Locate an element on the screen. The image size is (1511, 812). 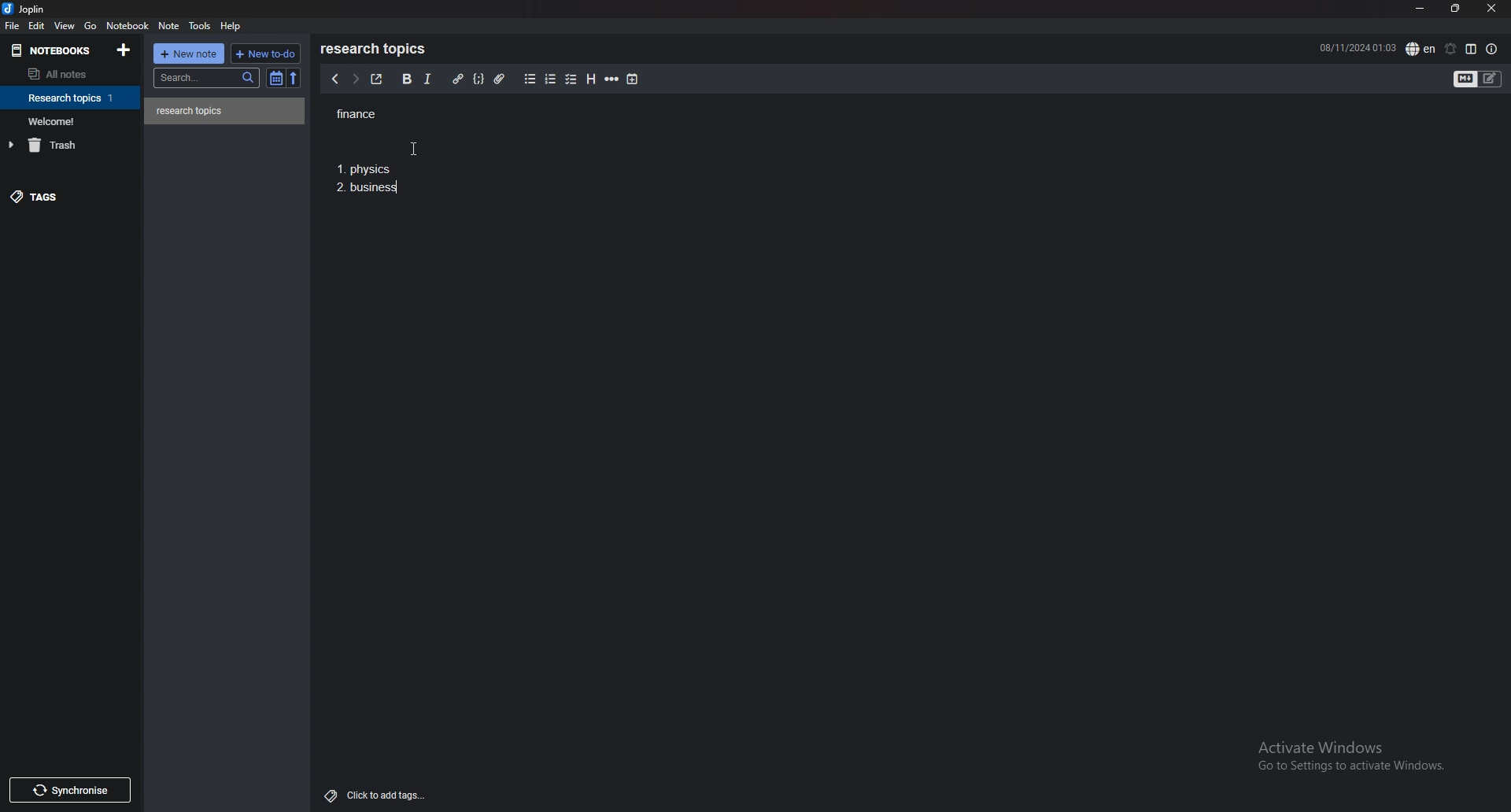
note is located at coordinates (225, 111).